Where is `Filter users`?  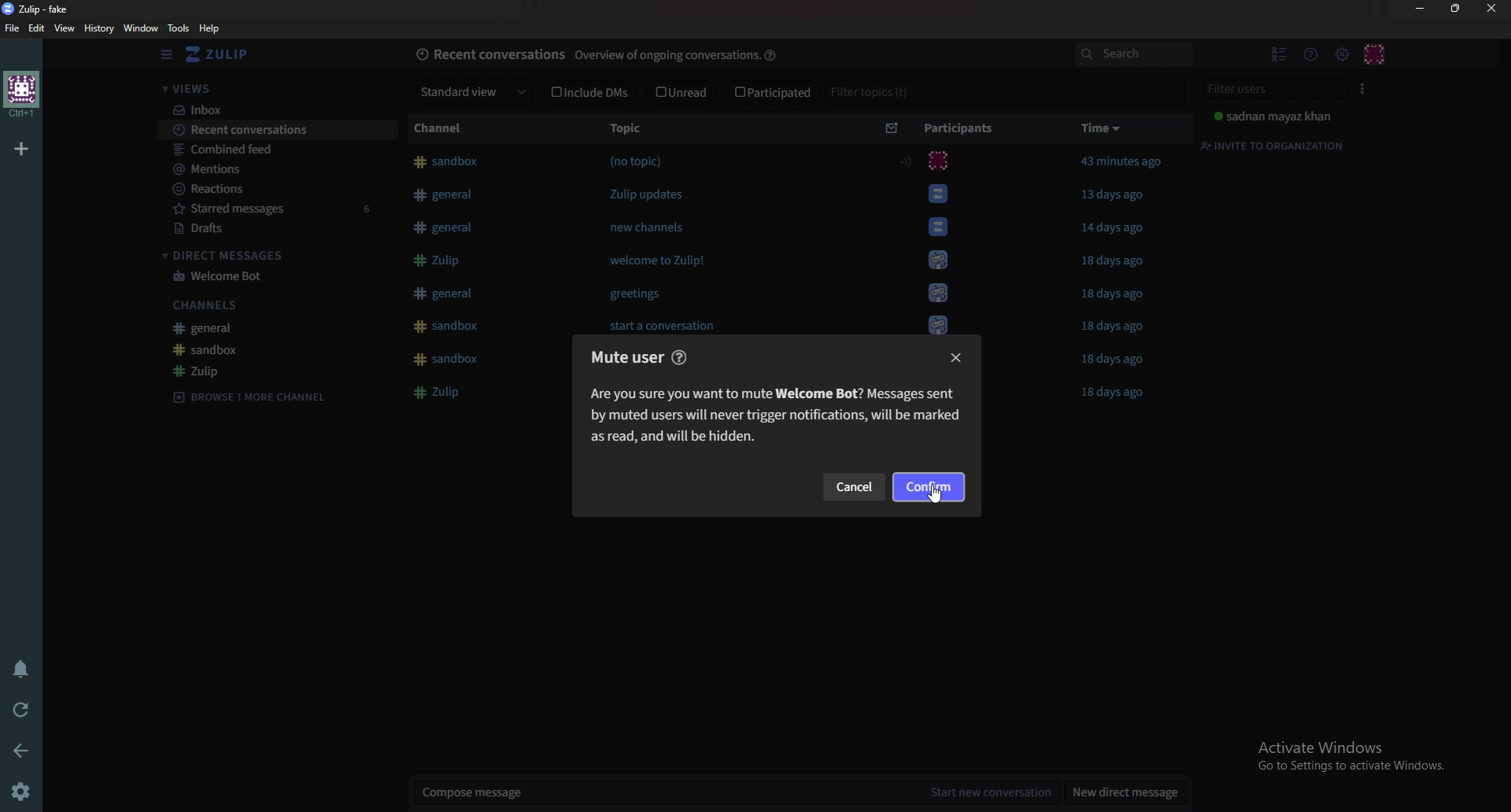
Filter users is located at coordinates (1276, 87).